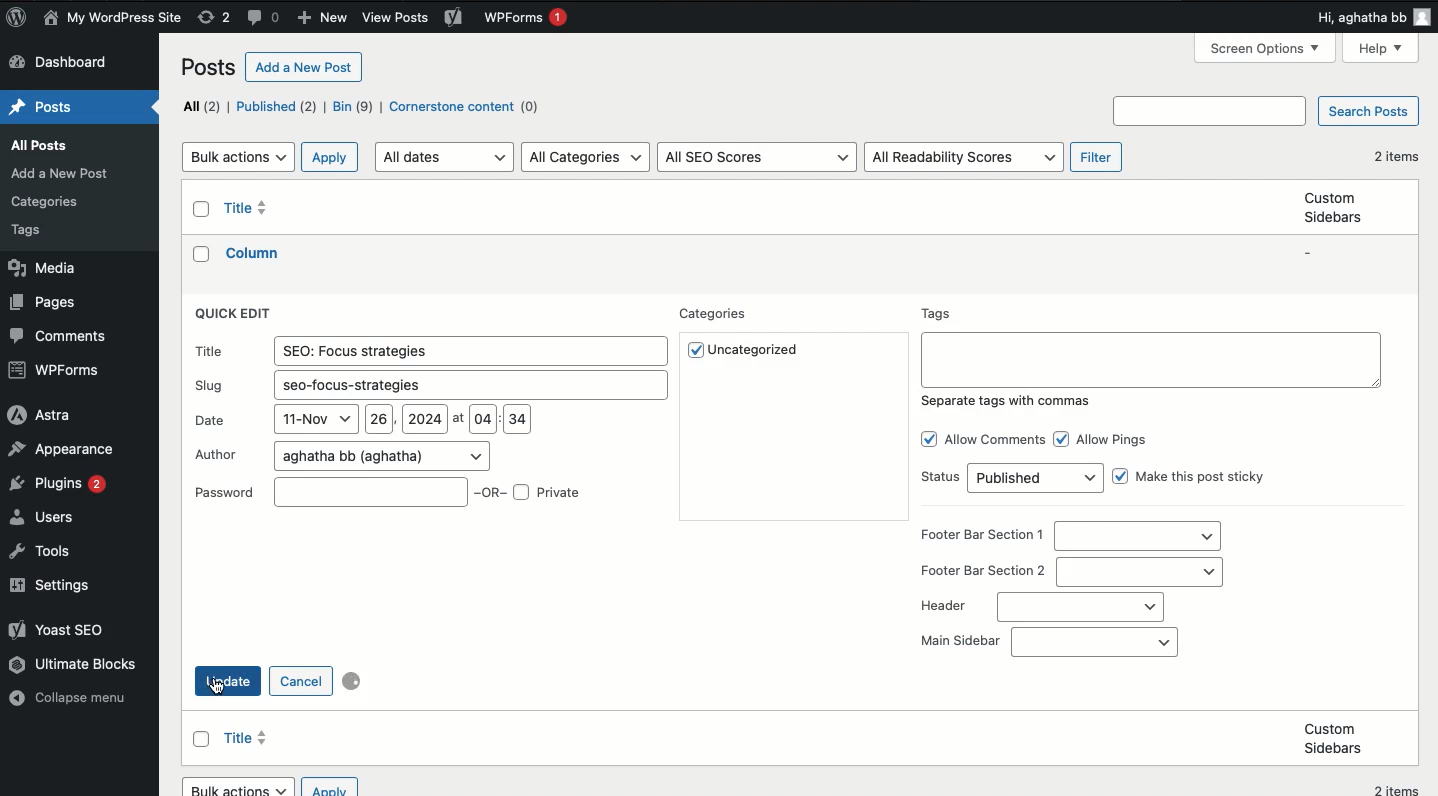  What do you see at coordinates (396, 18) in the screenshot?
I see `View posts` at bounding box center [396, 18].